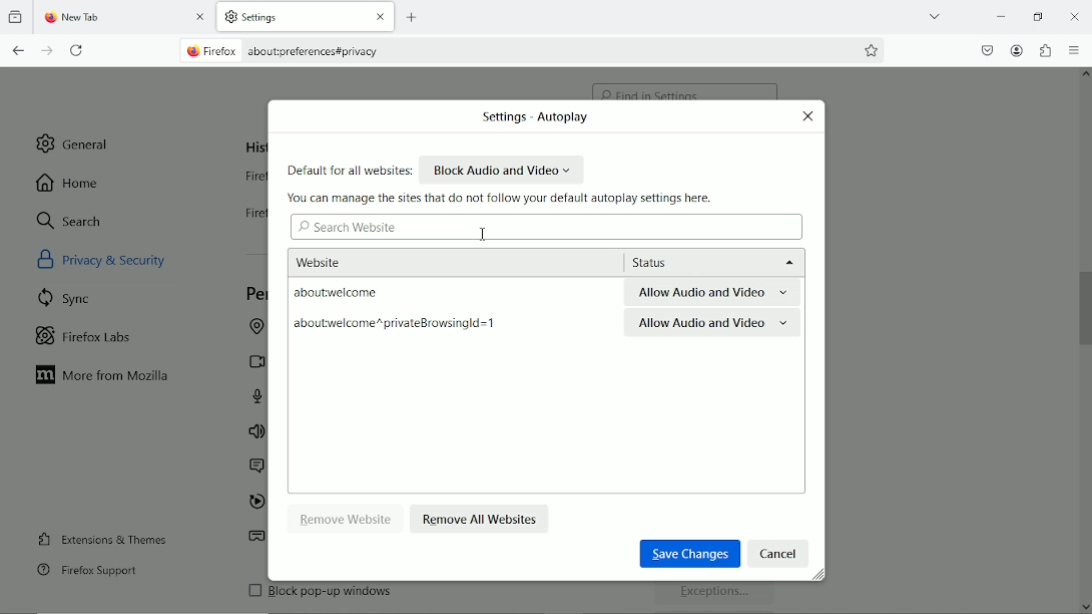 This screenshot has width=1092, height=614. What do you see at coordinates (87, 571) in the screenshot?
I see `firefox support` at bounding box center [87, 571].